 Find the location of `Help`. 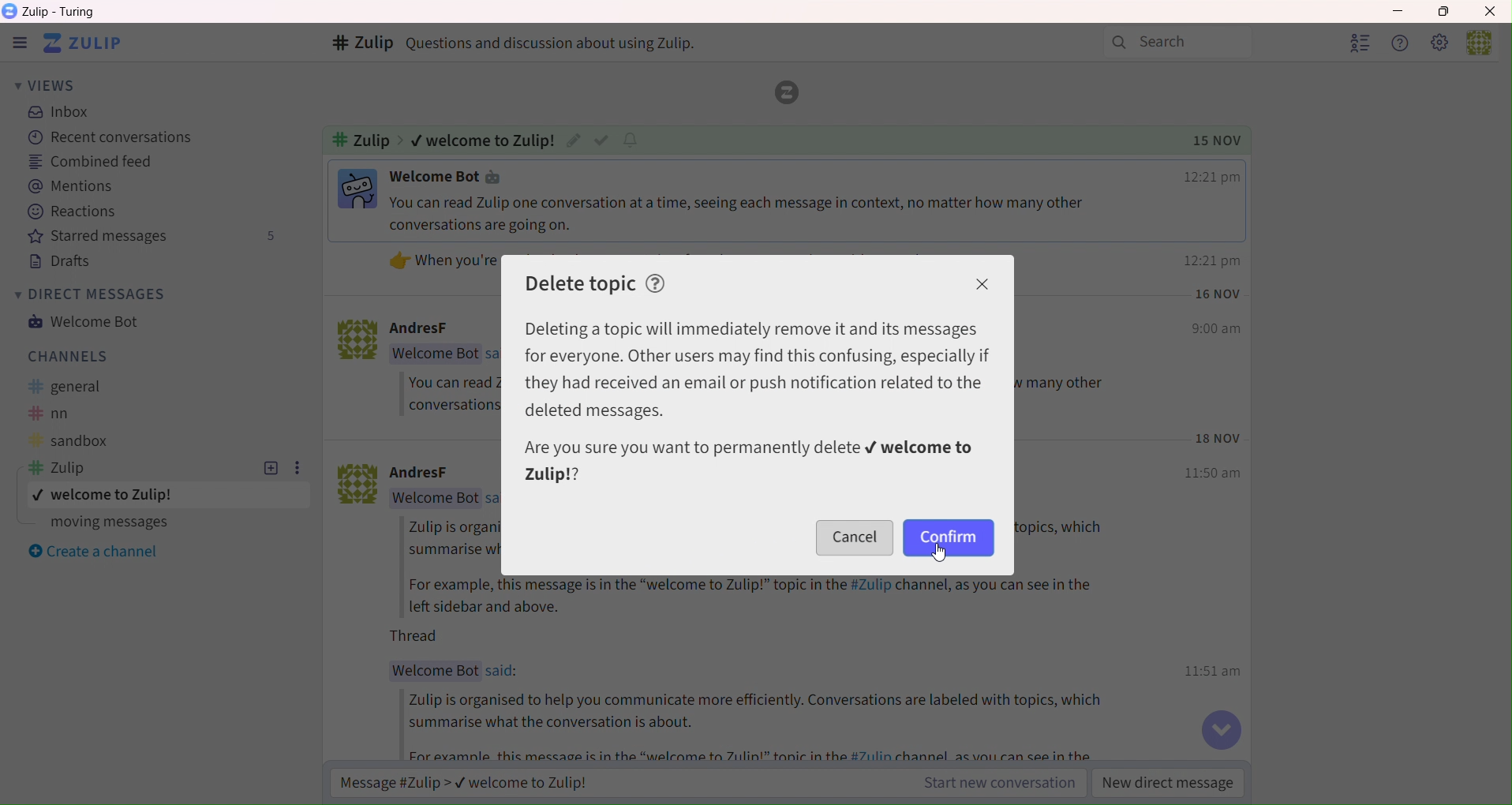

Help is located at coordinates (656, 284).